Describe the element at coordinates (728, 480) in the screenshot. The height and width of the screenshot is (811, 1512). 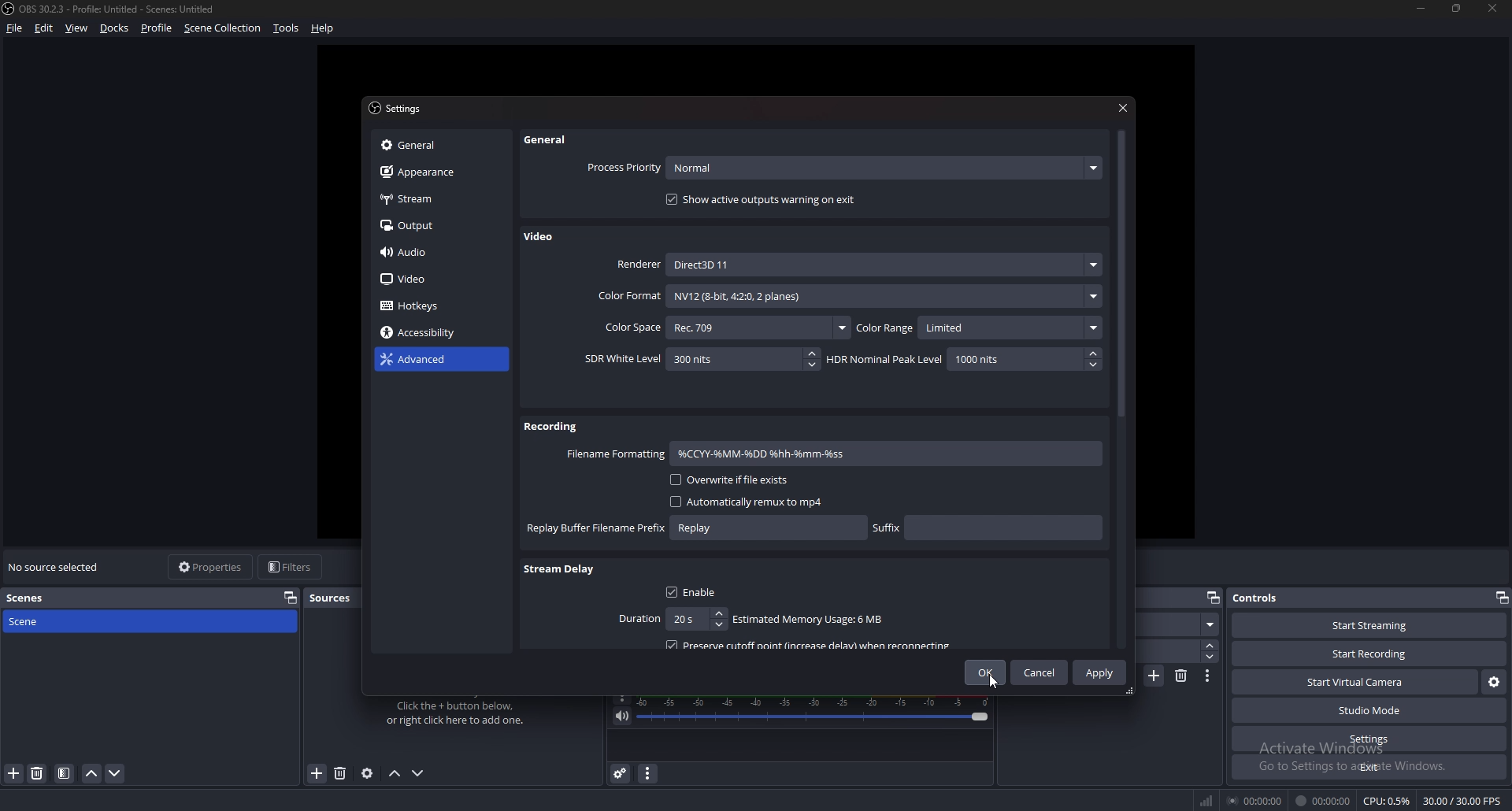
I see `Overwrite if file exists` at that location.